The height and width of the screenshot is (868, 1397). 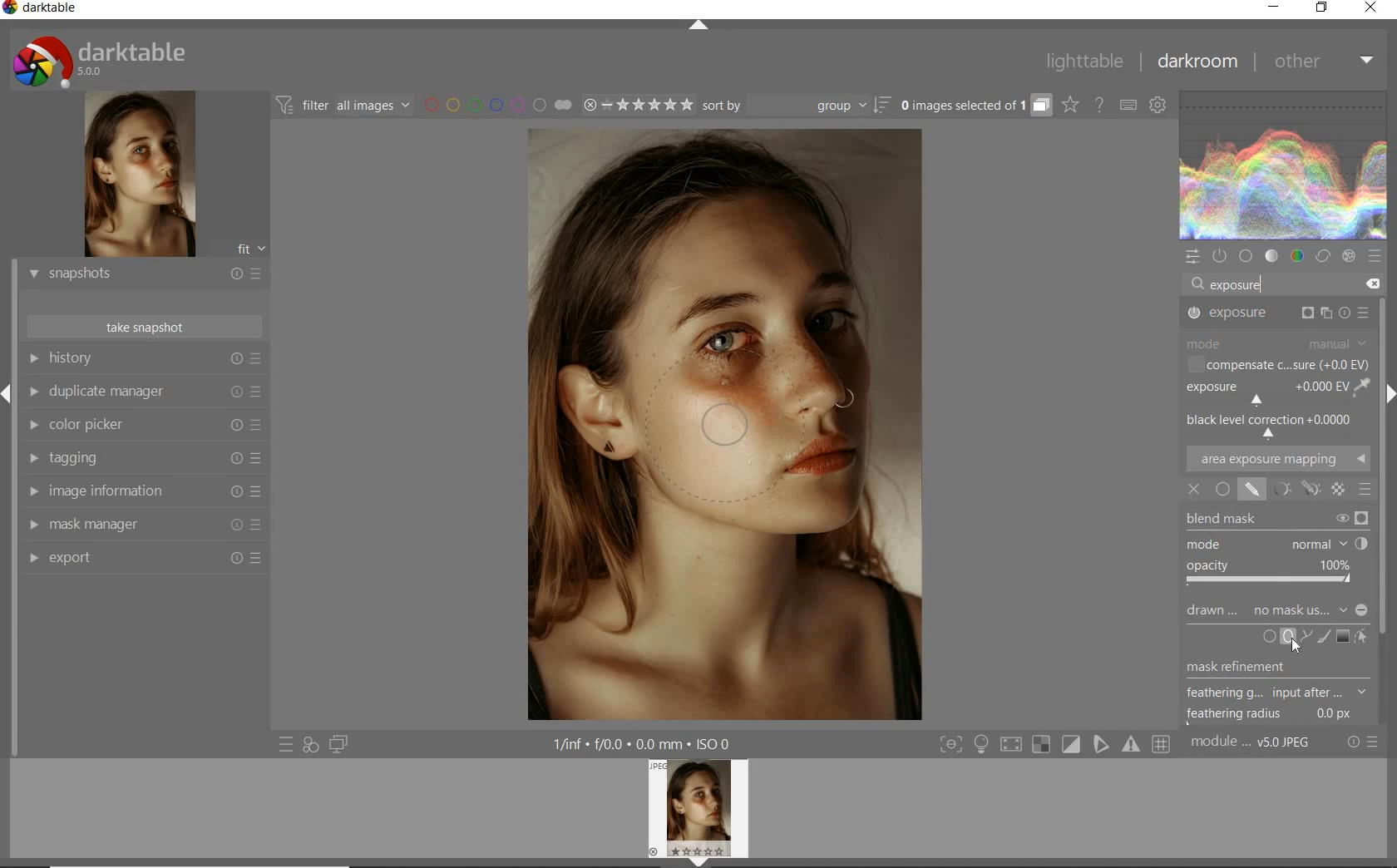 I want to click on minimize, so click(x=1273, y=7).